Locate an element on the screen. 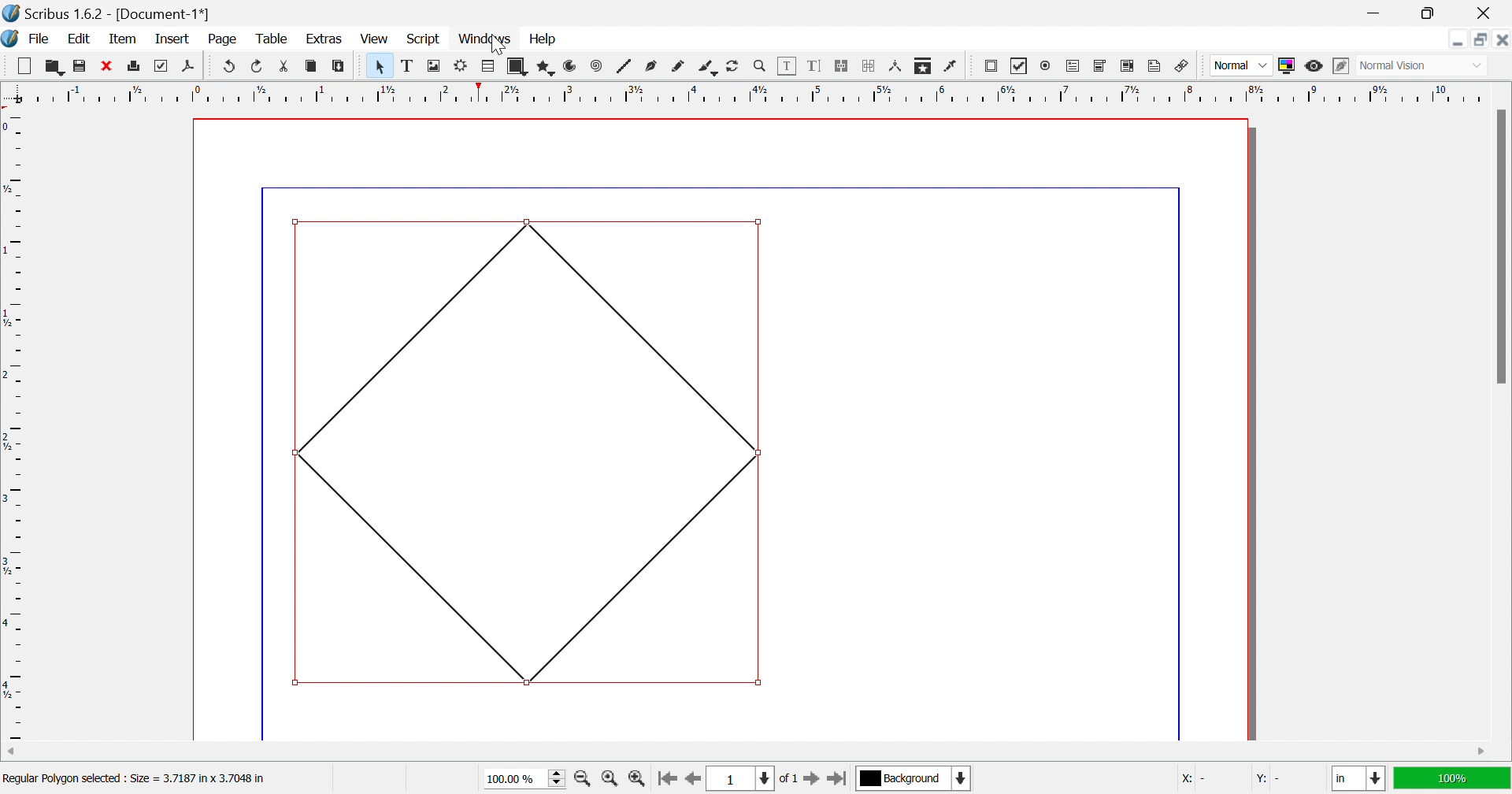 The width and height of the screenshot is (1512, 794). Unlink text frames is located at coordinates (869, 66).